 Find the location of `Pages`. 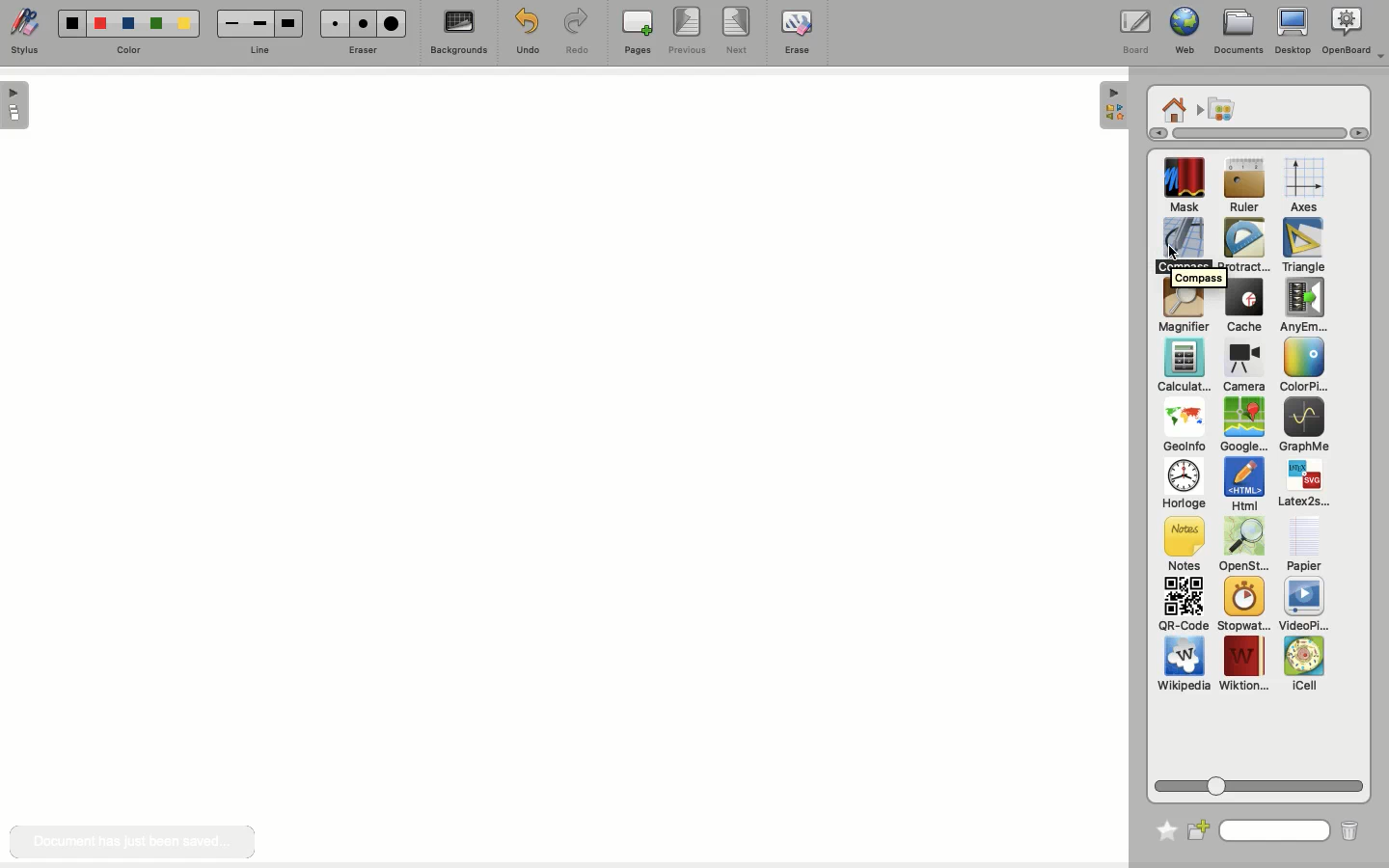

Pages is located at coordinates (638, 34).